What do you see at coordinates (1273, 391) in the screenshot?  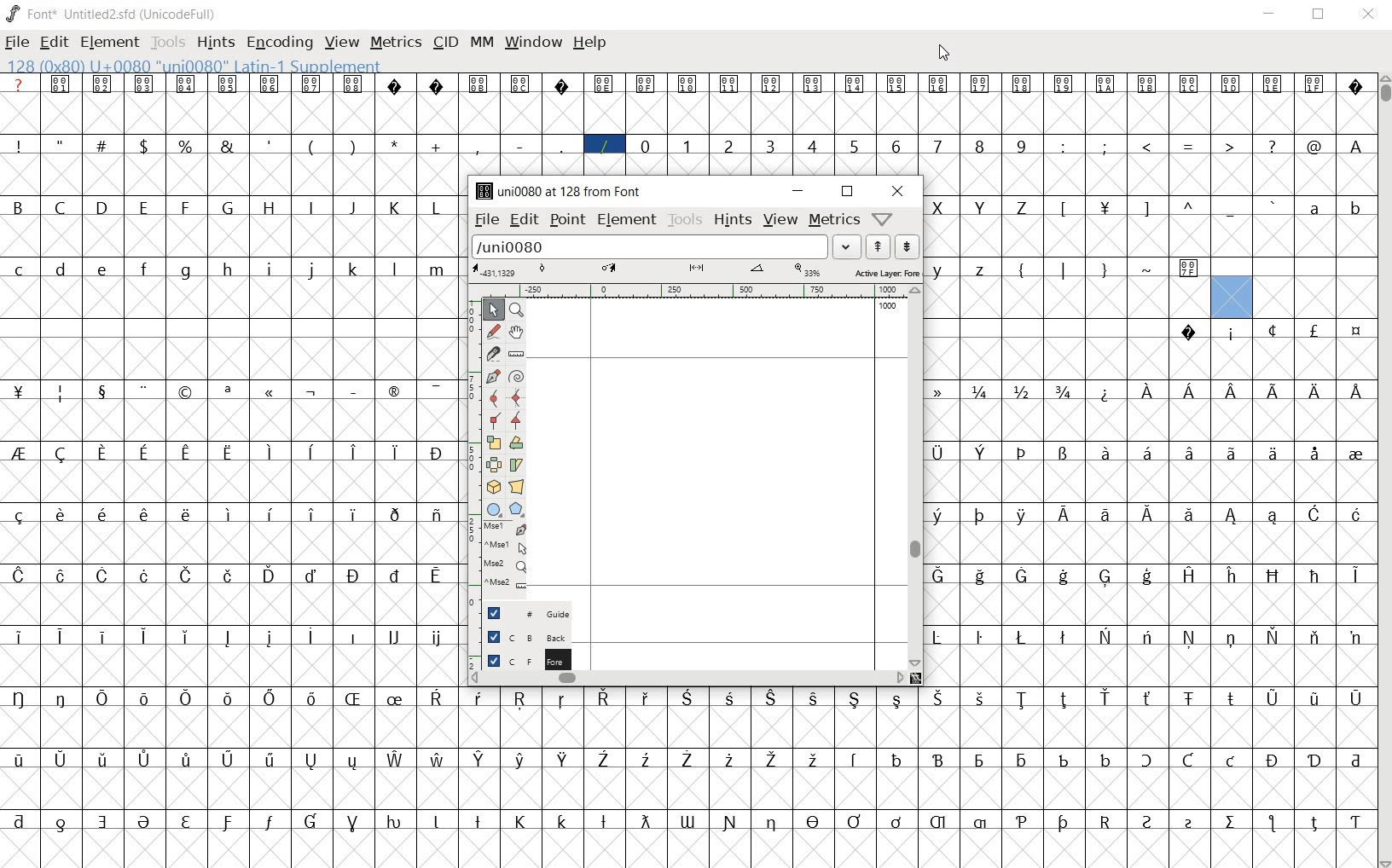 I see `glyph` at bounding box center [1273, 391].